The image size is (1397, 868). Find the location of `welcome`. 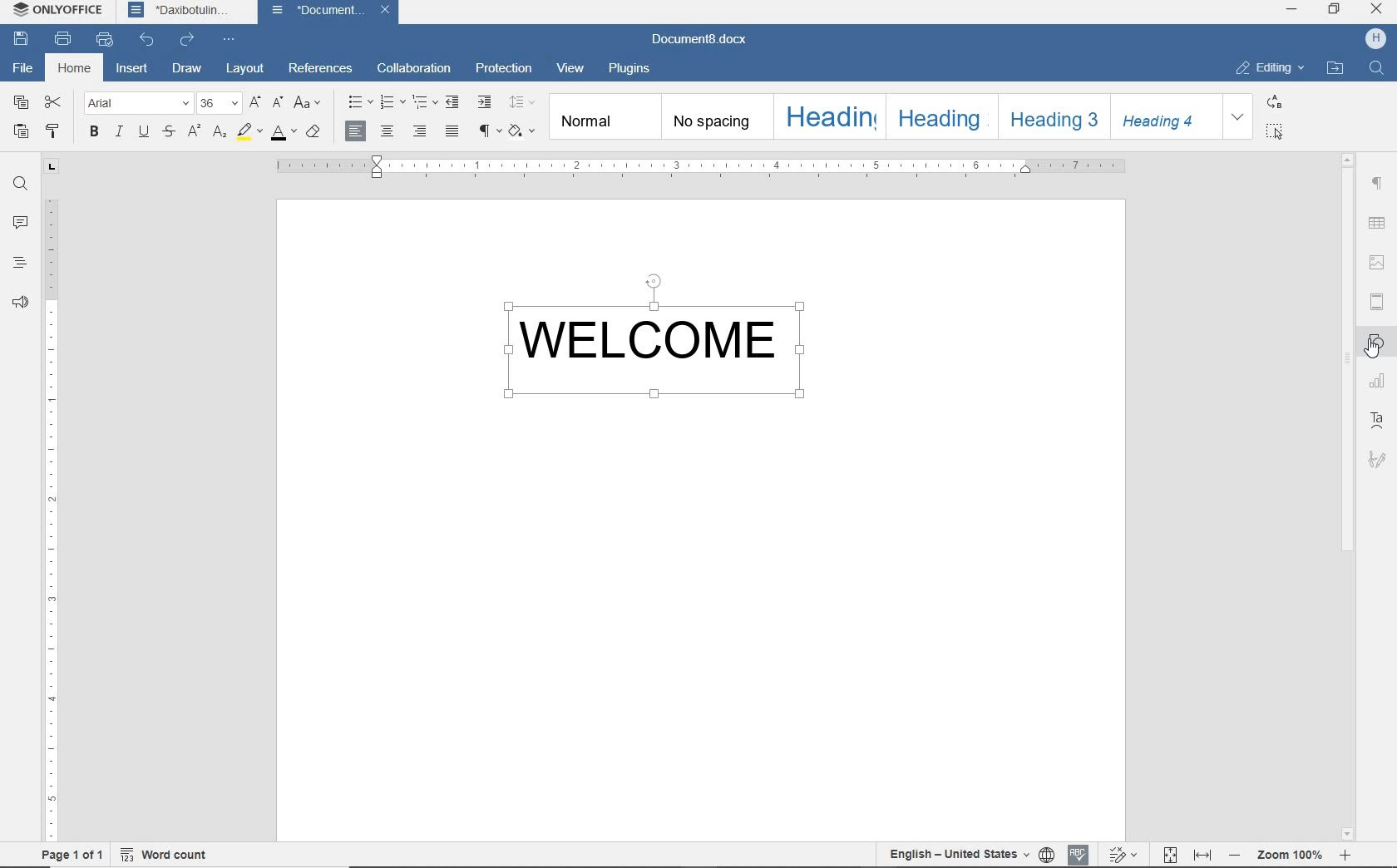

welcome is located at coordinates (681, 350).